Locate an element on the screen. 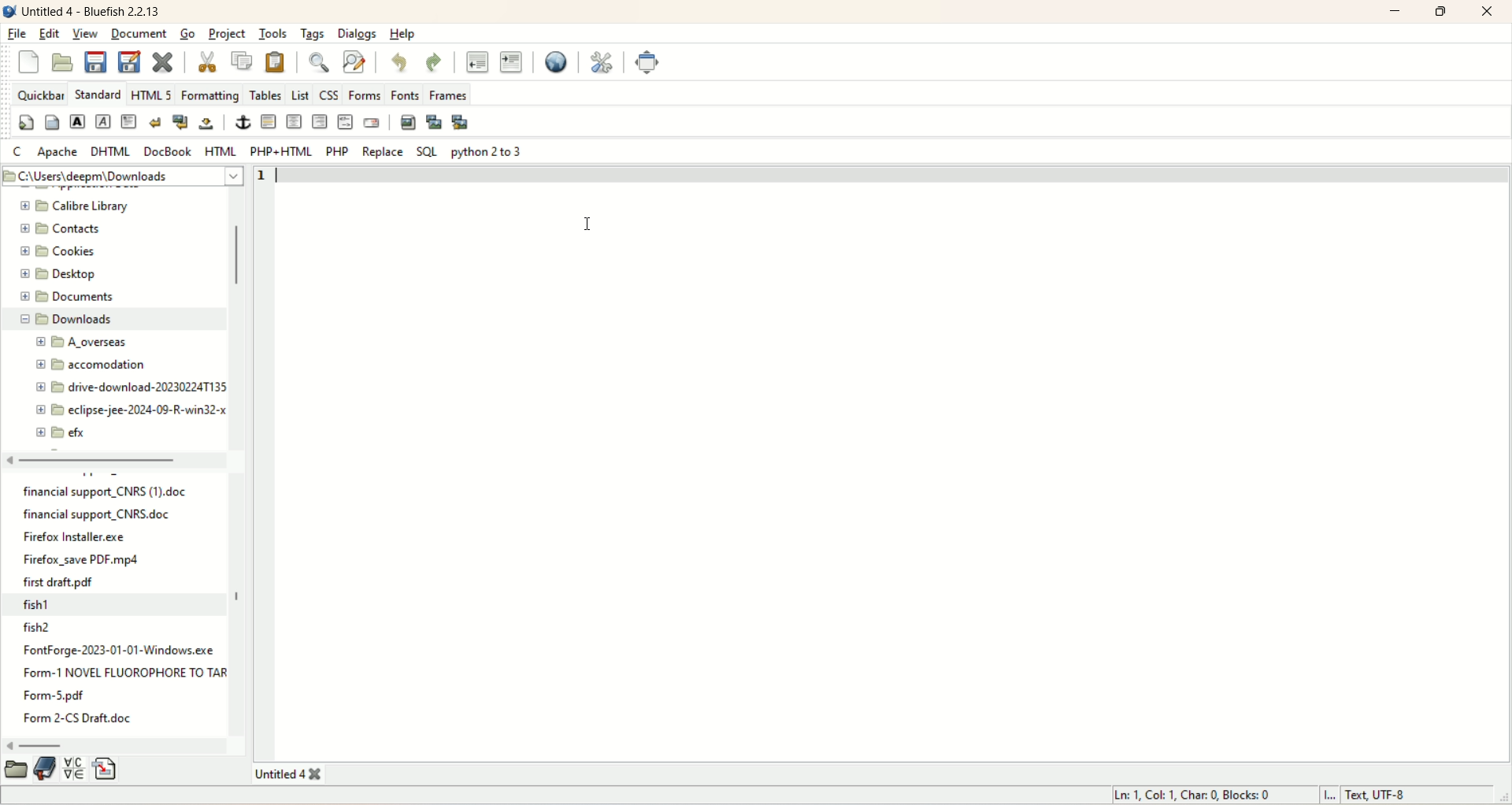 Image resolution: width=1512 pixels, height=805 pixels. documentation is located at coordinates (46, 769).